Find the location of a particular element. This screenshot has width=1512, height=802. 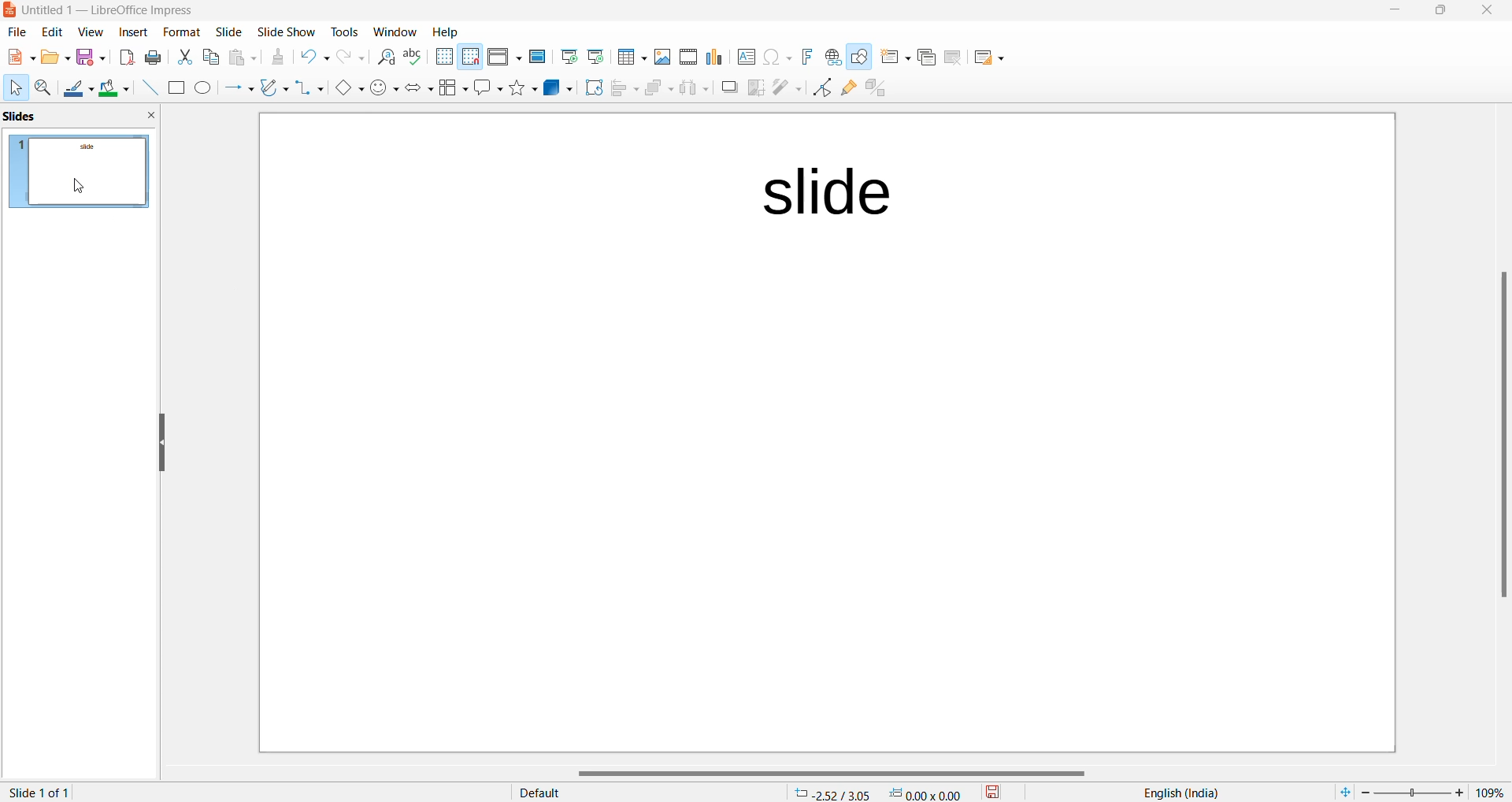

toggle extrusion is located at coordinates (881, 91).